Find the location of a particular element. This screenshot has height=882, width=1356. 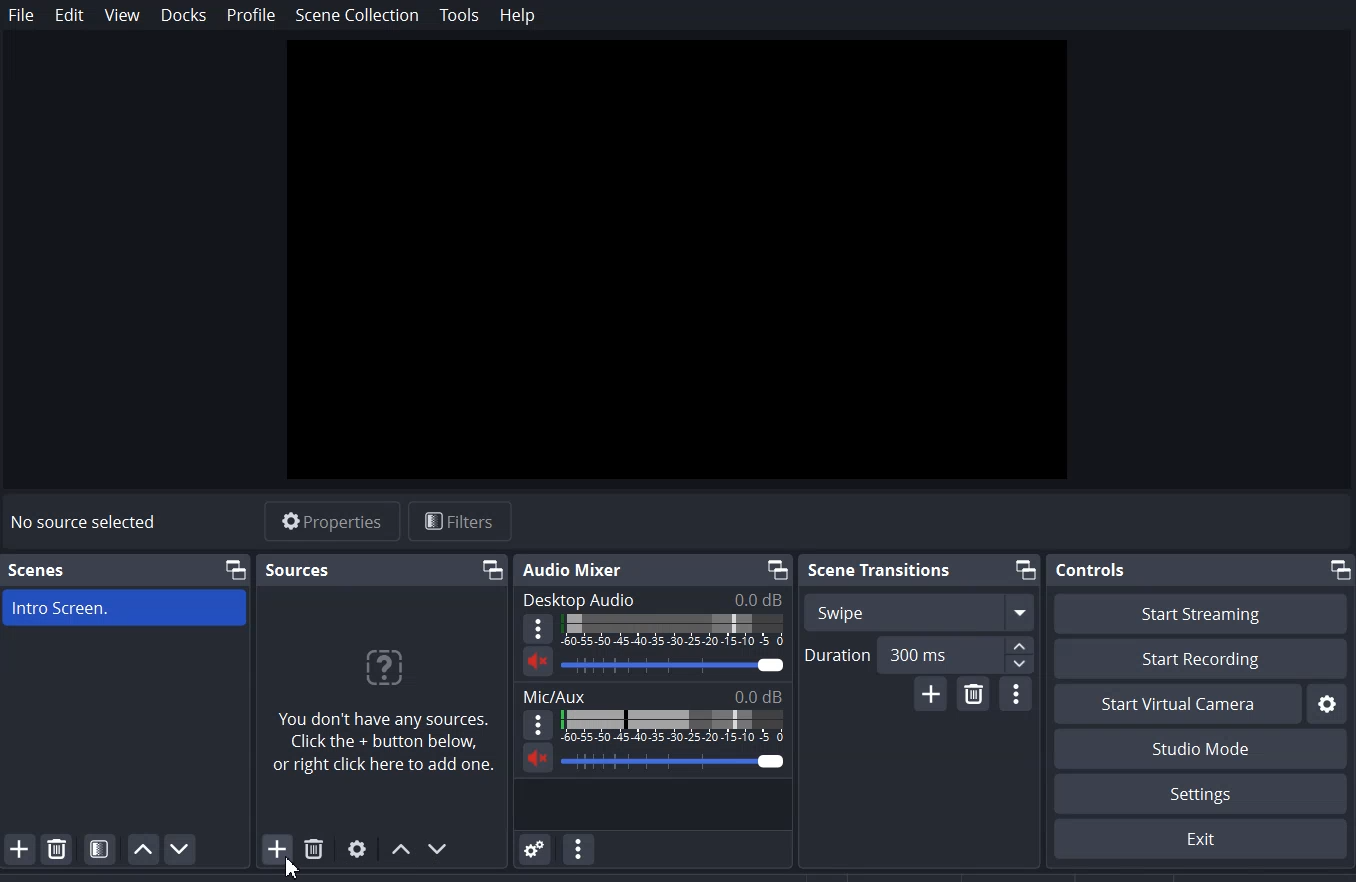

Maximize is located at coordinates (491, 568).